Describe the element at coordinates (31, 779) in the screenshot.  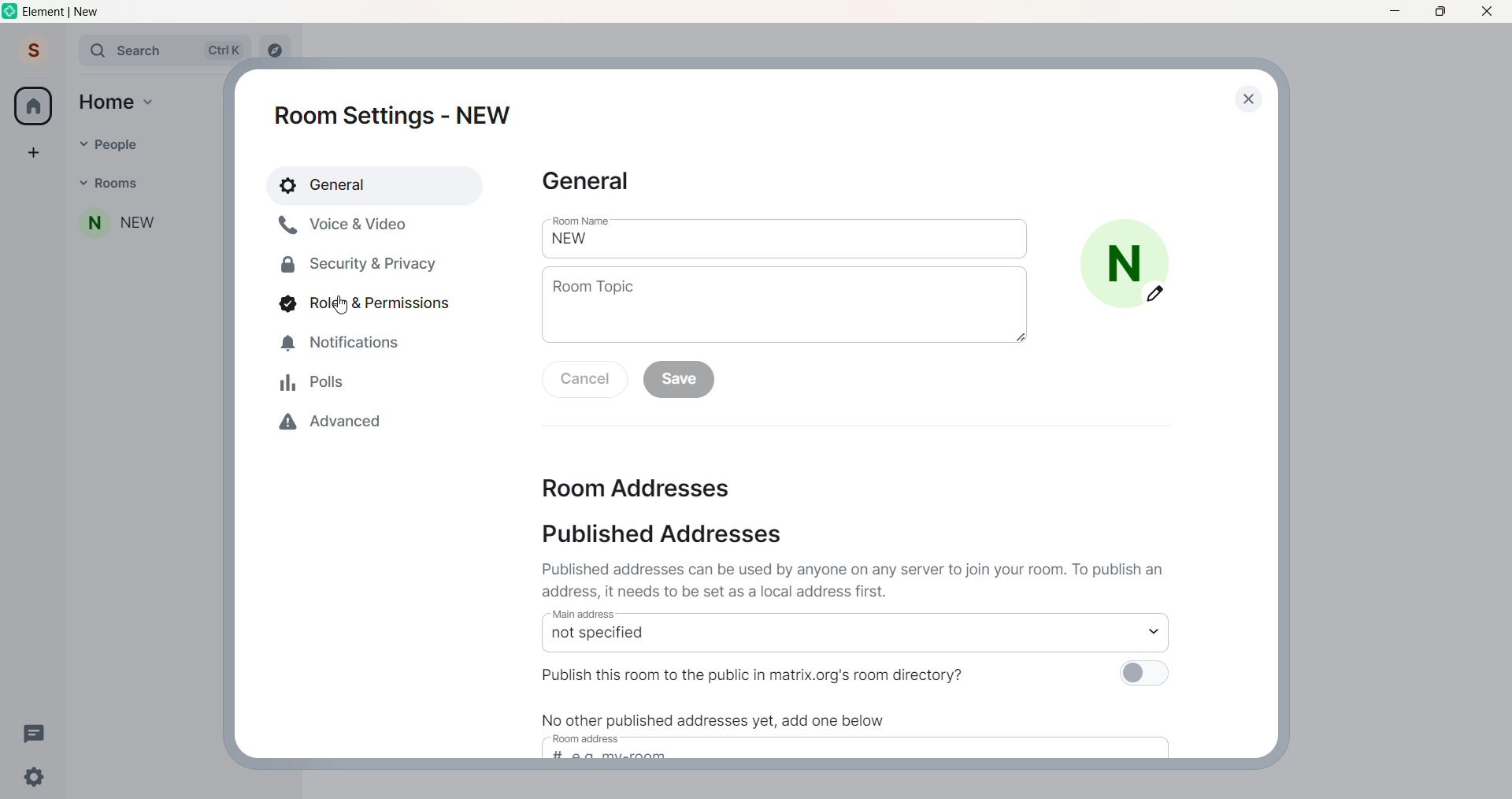
I see `setting` at that location.